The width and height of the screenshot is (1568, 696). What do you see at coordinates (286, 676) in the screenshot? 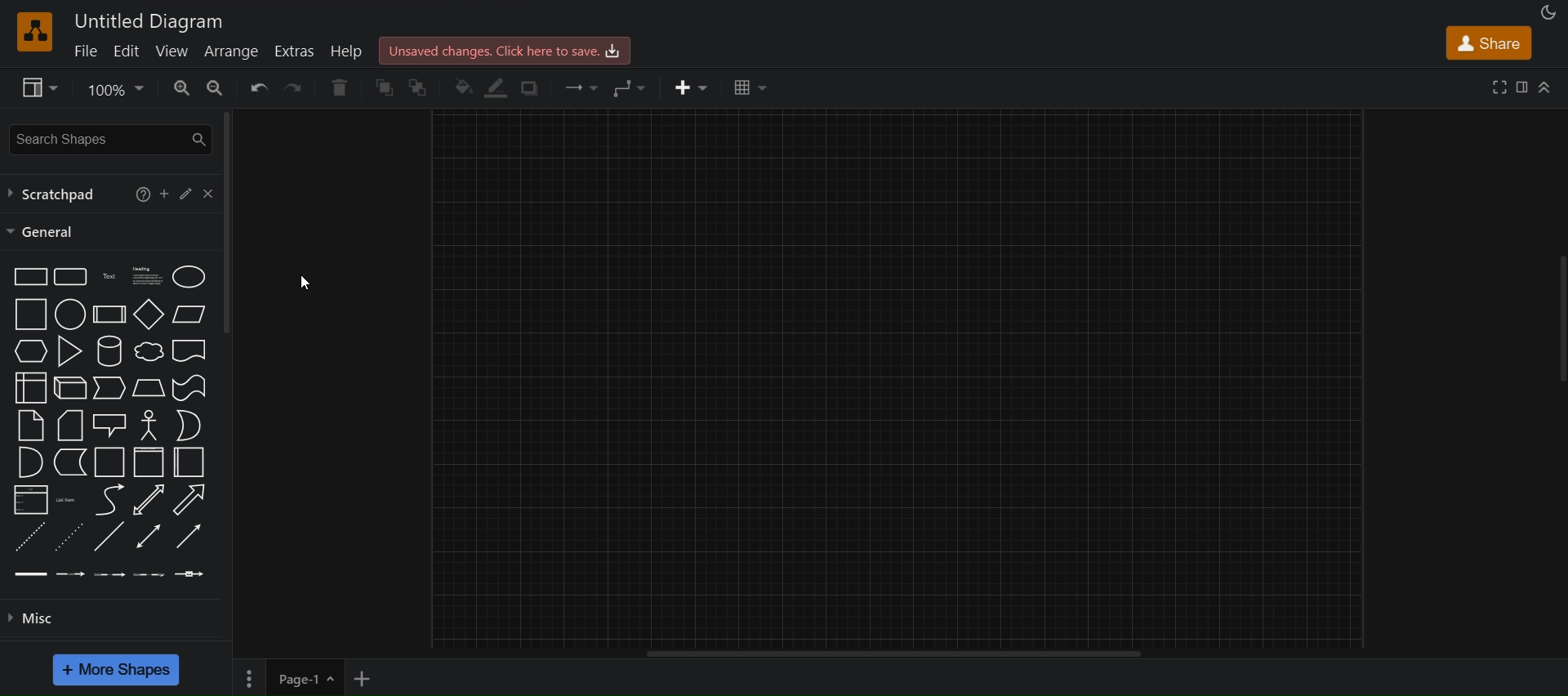
I see `page 1` at bounding box center [286, 676].